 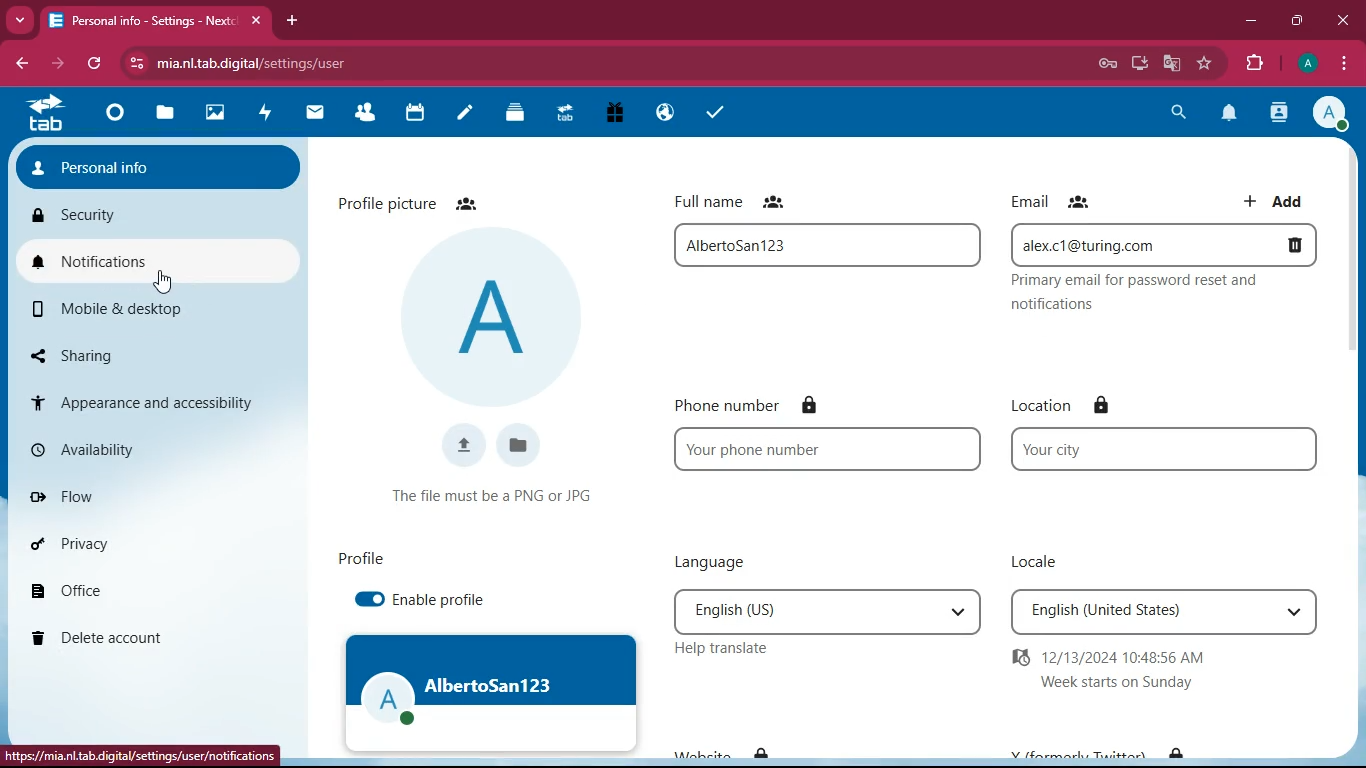 What do you see at coordinates (1166, 294) in the screenshot?
I see `Privacy email for password reset and notifications` at bounding box center [1166, 294].